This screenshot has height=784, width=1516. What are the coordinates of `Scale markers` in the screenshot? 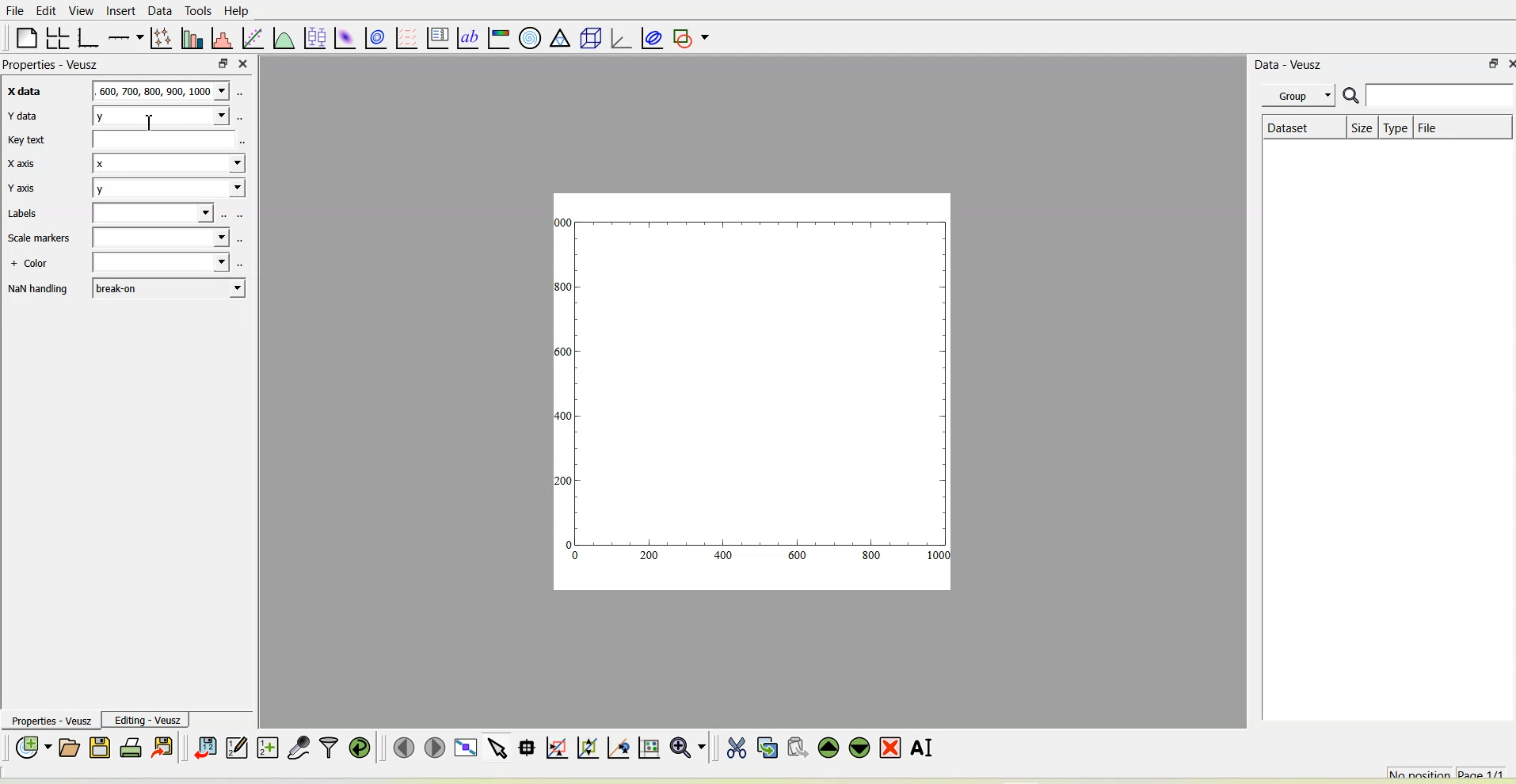 It's located at (42, 238).